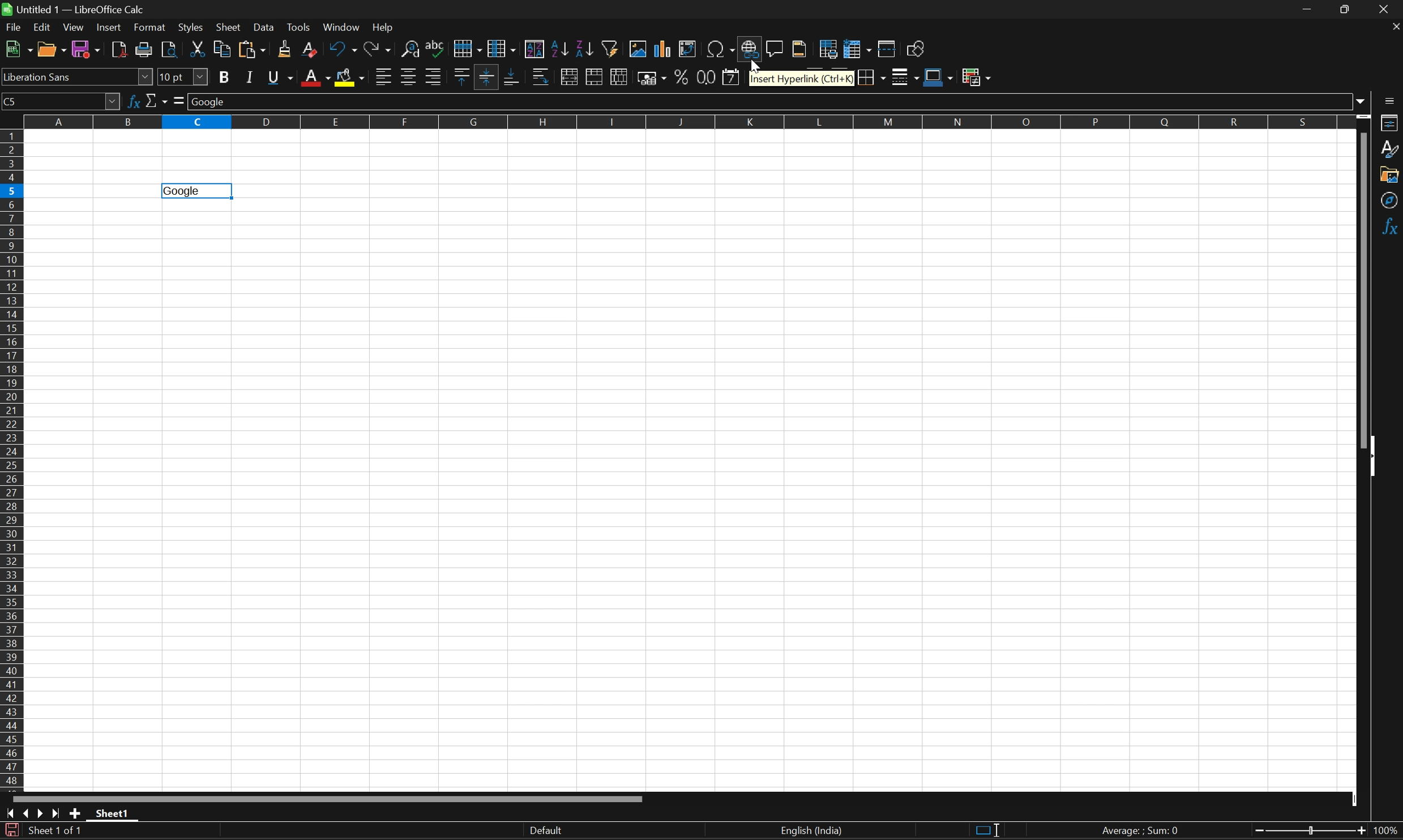  I want to click on Add new sheet, so click(76, 815).